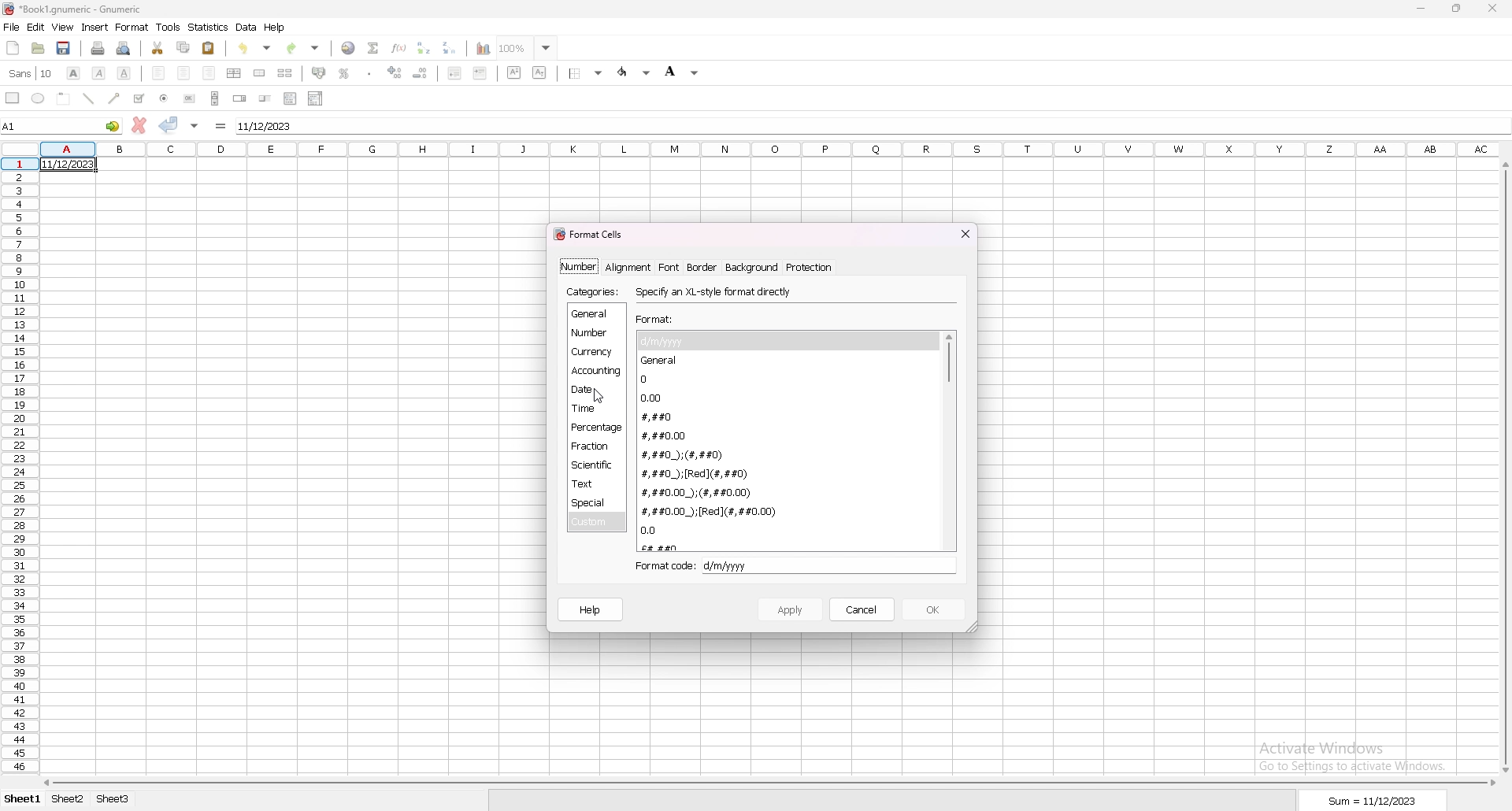  I want to click on sheet 3, so click(113, 799).